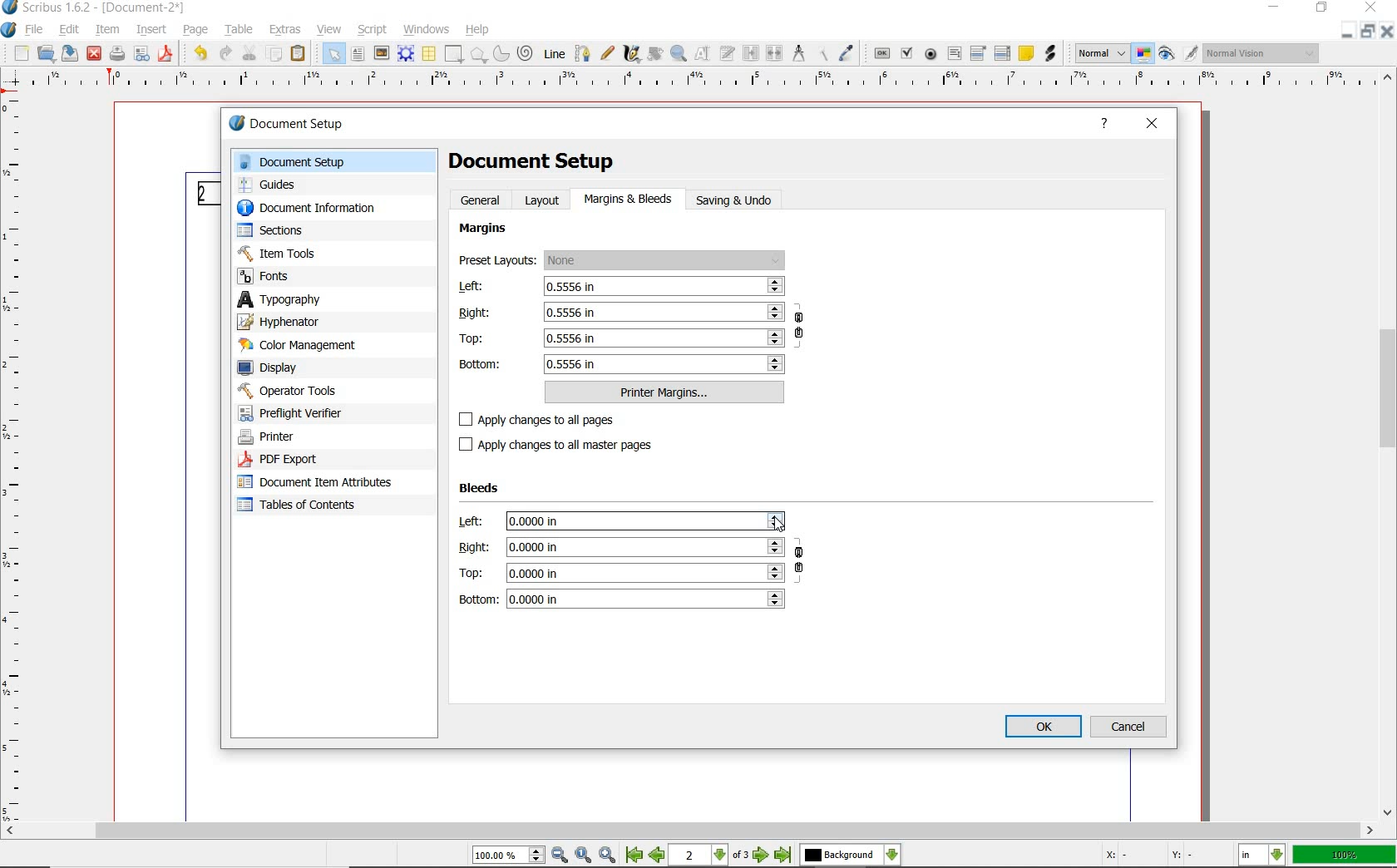 The image size is (1397, 868). What do you see at coordinates (784, 856) in the screenshot?
I see `Last Page` at bounding box center [784, 856].